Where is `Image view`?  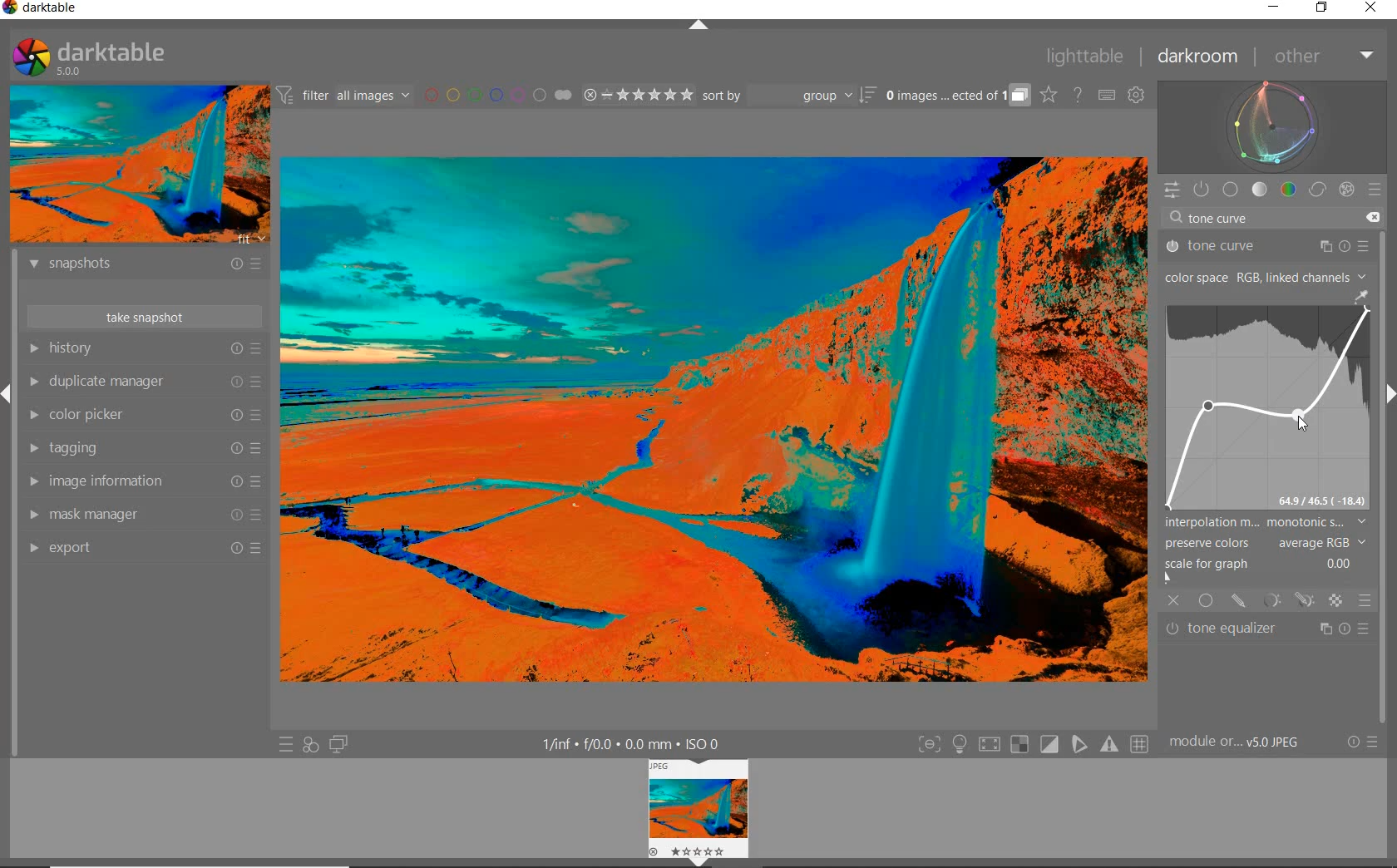
Image view is located at coordinates (699, 807).